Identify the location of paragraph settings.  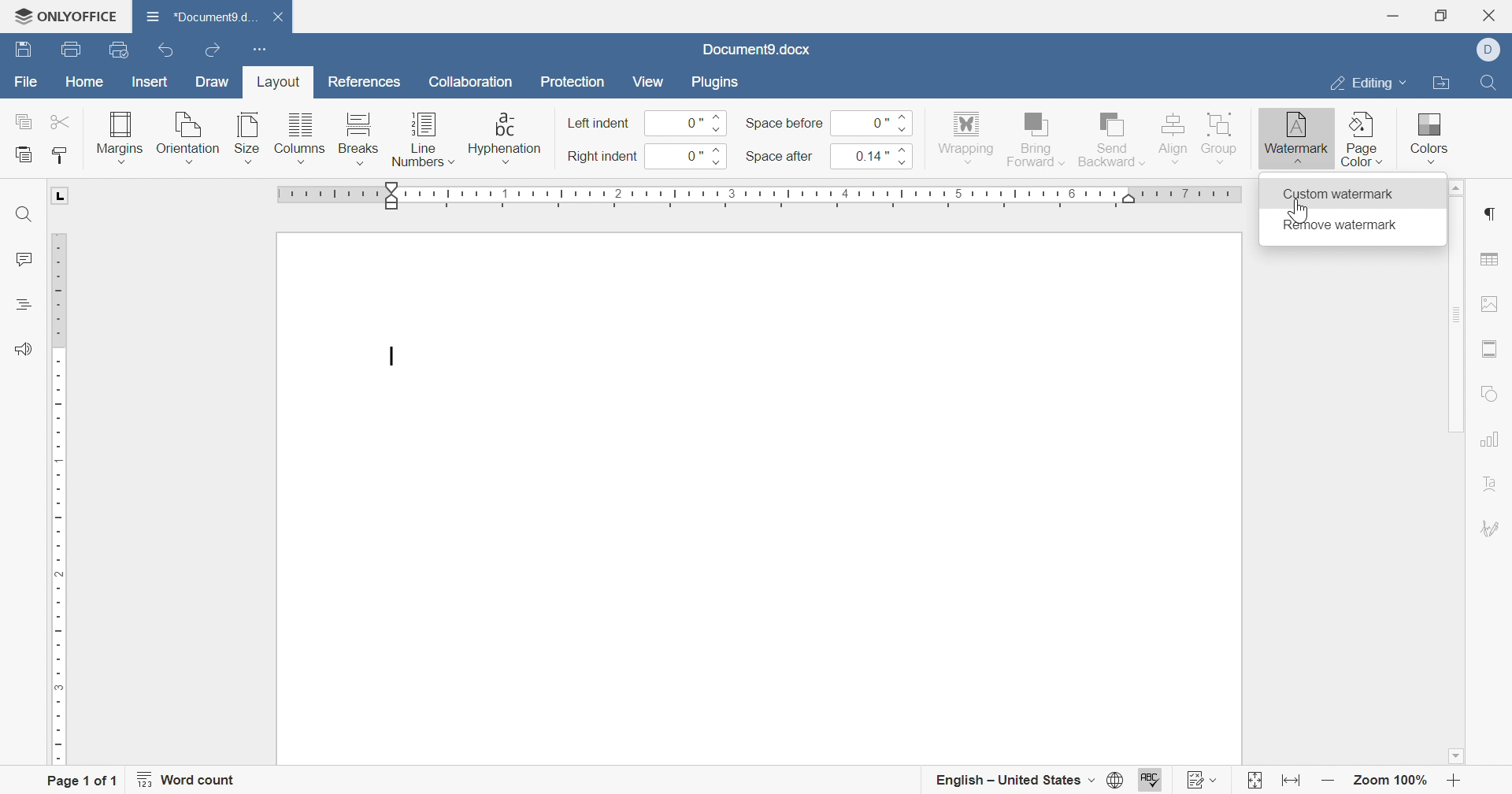
(1488, 214).